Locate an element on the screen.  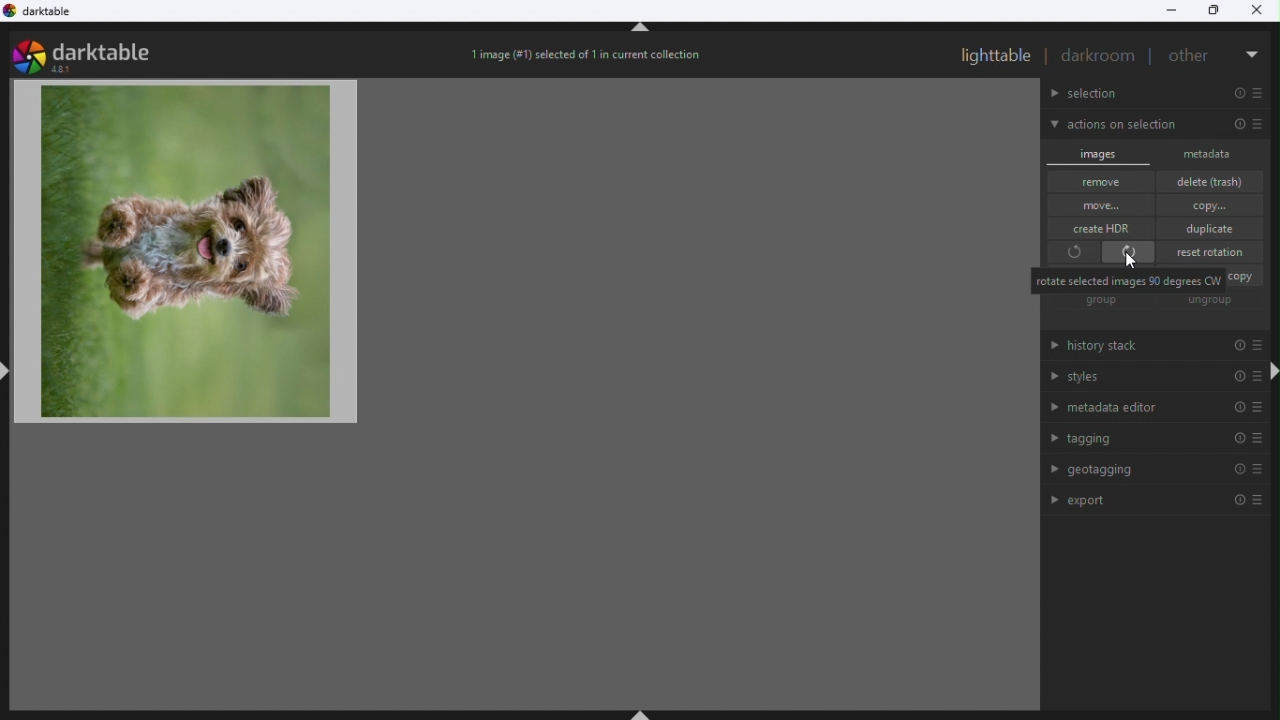
Rotate selected images is located at coordinates (1128, 280).